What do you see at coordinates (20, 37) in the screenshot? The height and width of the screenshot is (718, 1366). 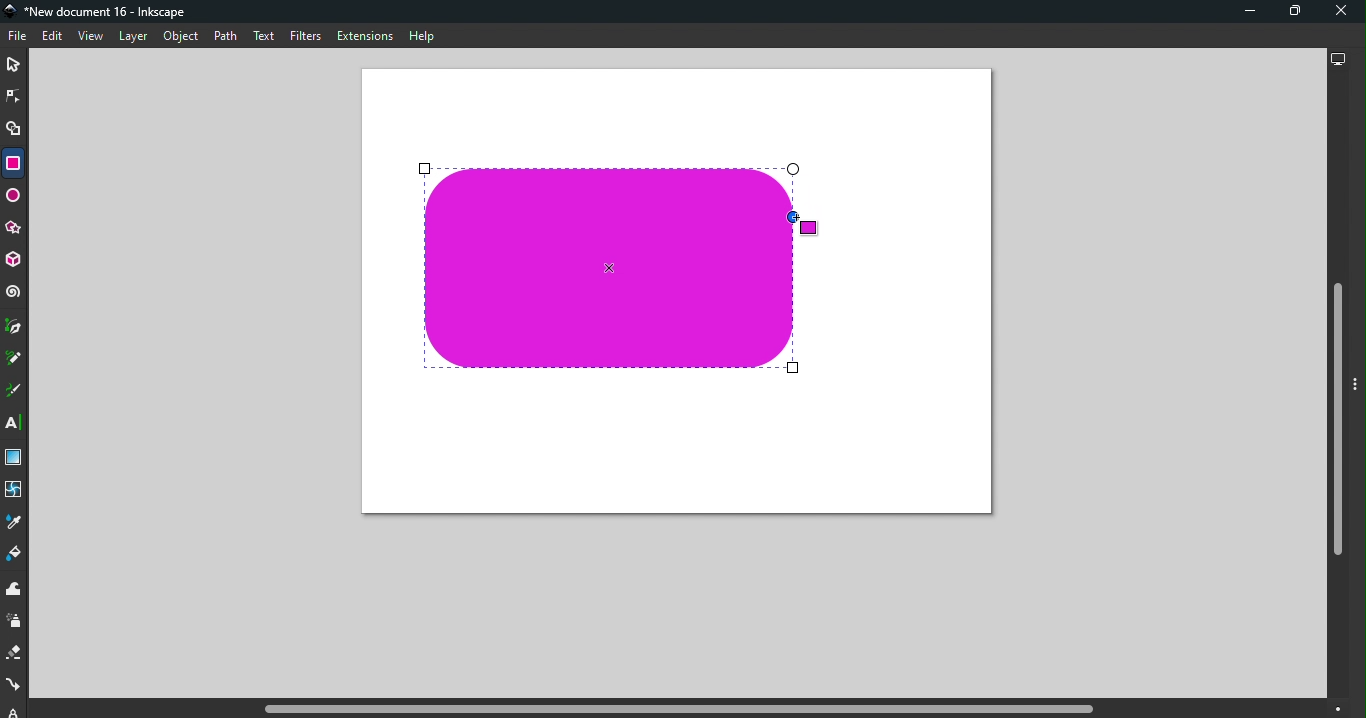 I see `File` at bounding box center [20, 37].